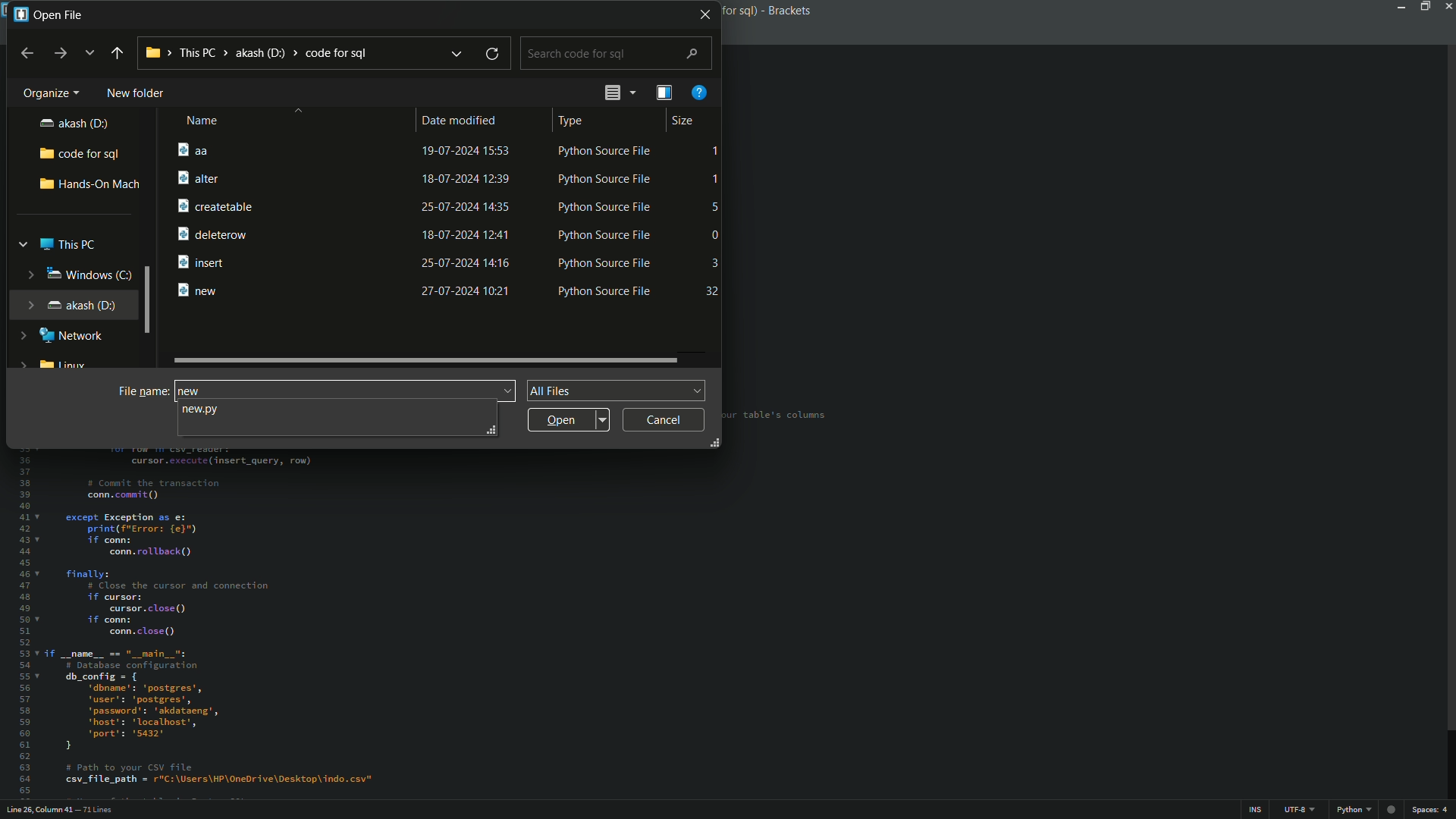 Image resolution: width=1456 pixels, height=819 pixels. Describe the element at coordinates (152, 299) in the screenshot. I see `scroll bar` at that location.